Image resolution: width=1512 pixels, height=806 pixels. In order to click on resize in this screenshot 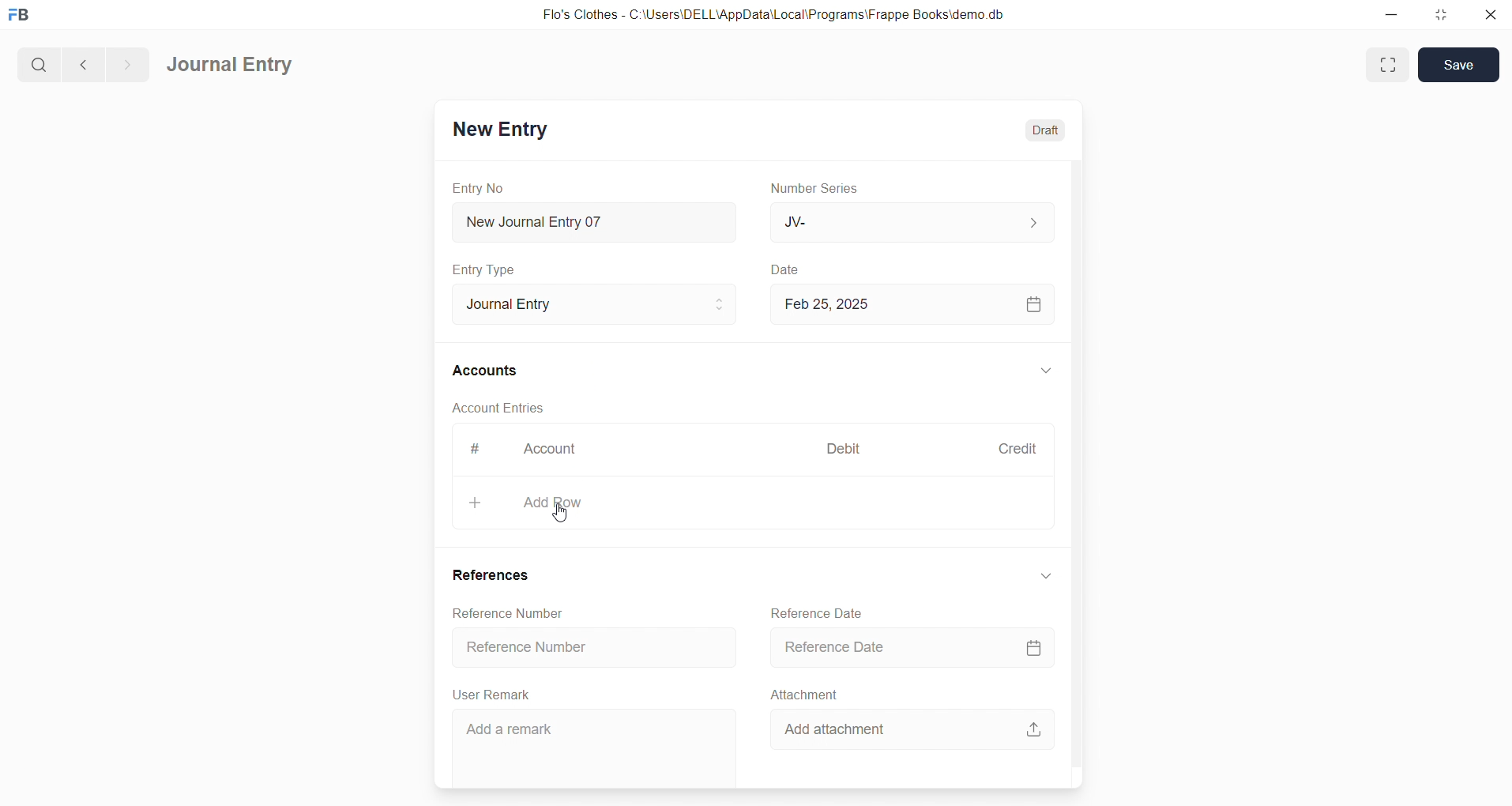, I will do `click(1439, 16)`.